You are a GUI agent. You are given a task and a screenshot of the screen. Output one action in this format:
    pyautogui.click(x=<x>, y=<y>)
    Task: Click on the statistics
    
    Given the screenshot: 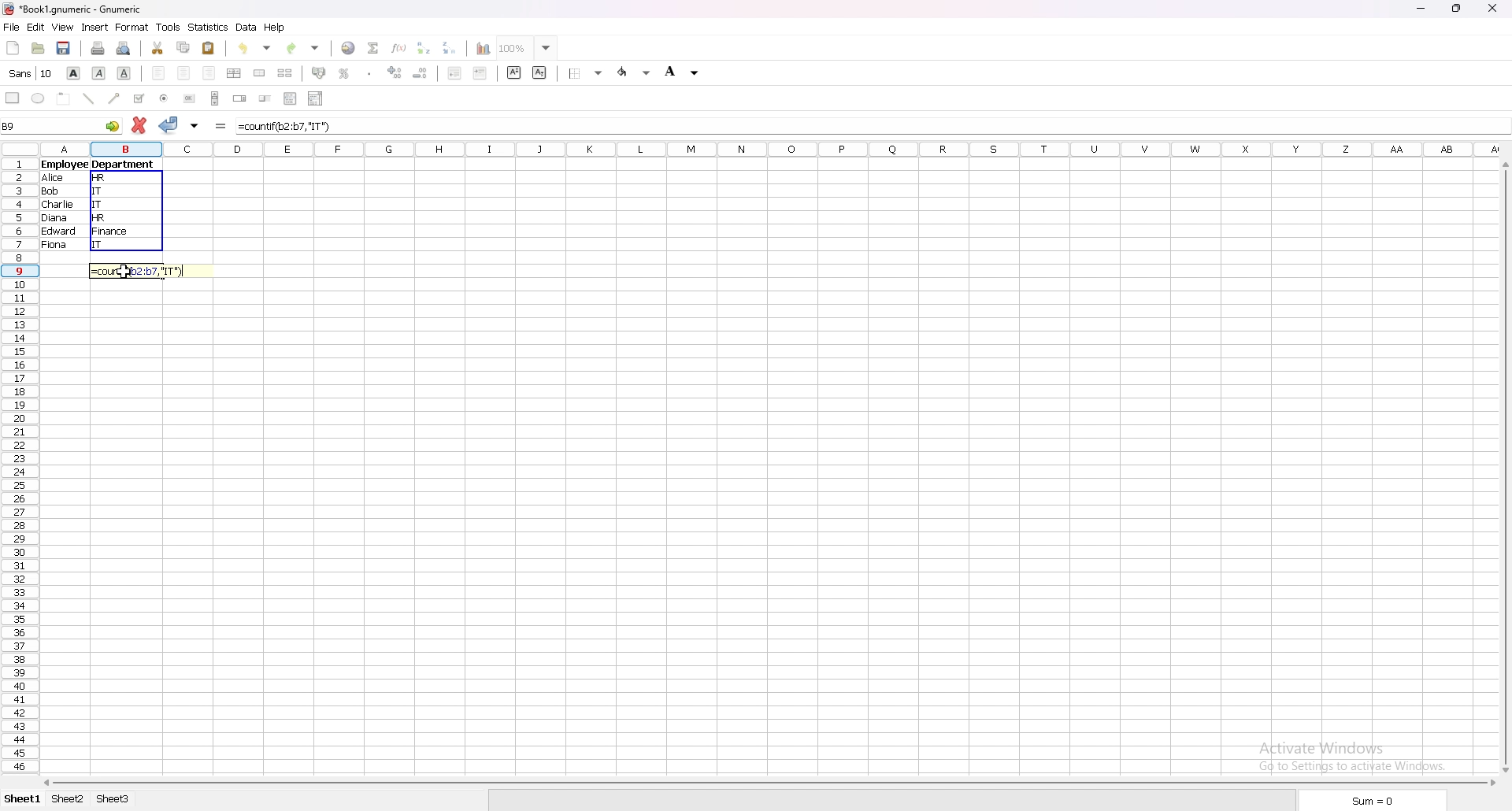 What is the action you would take?
    pyautogui.click(x=209, y=28)
    